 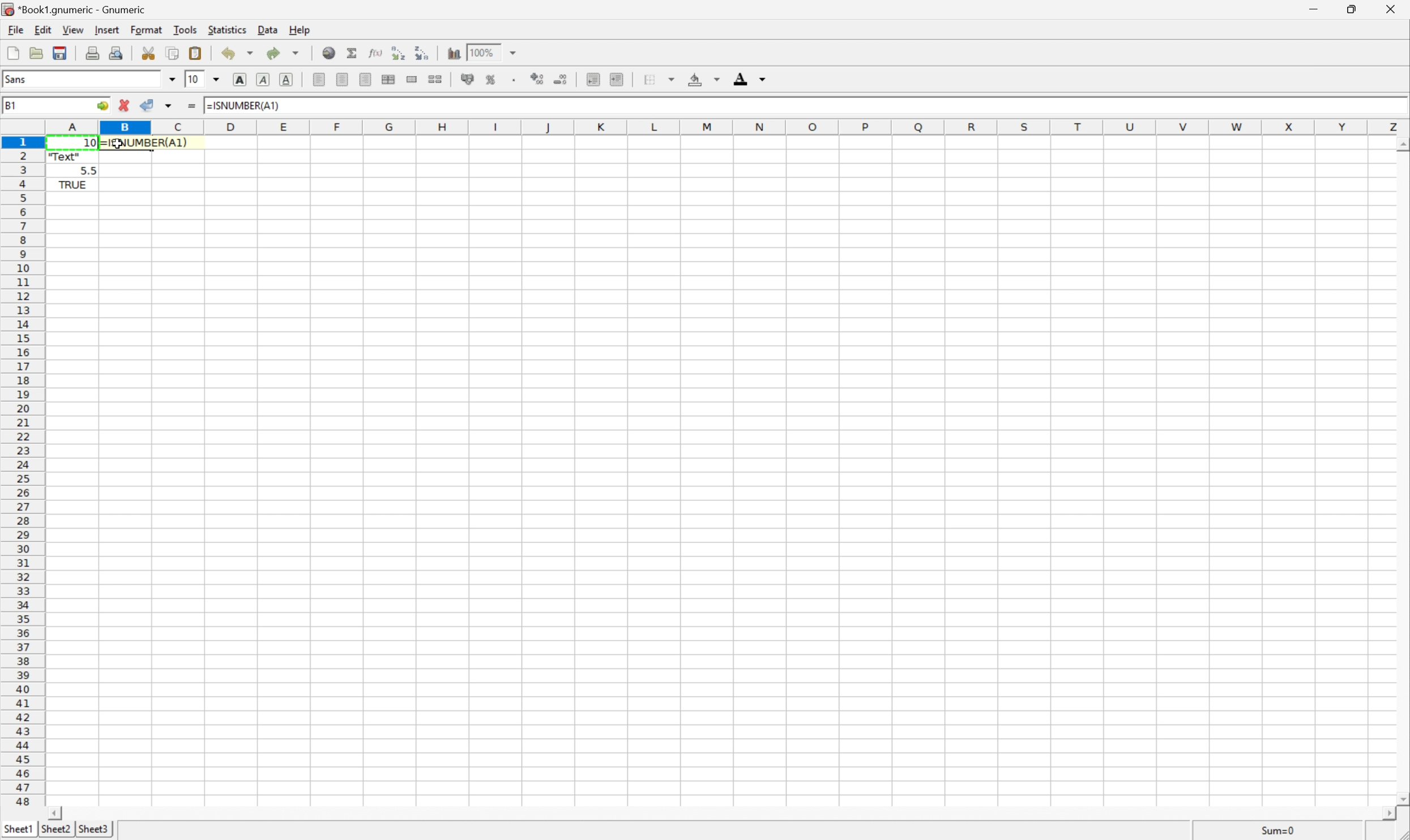 I want to click on Foreground, so click(x=752, y=78).